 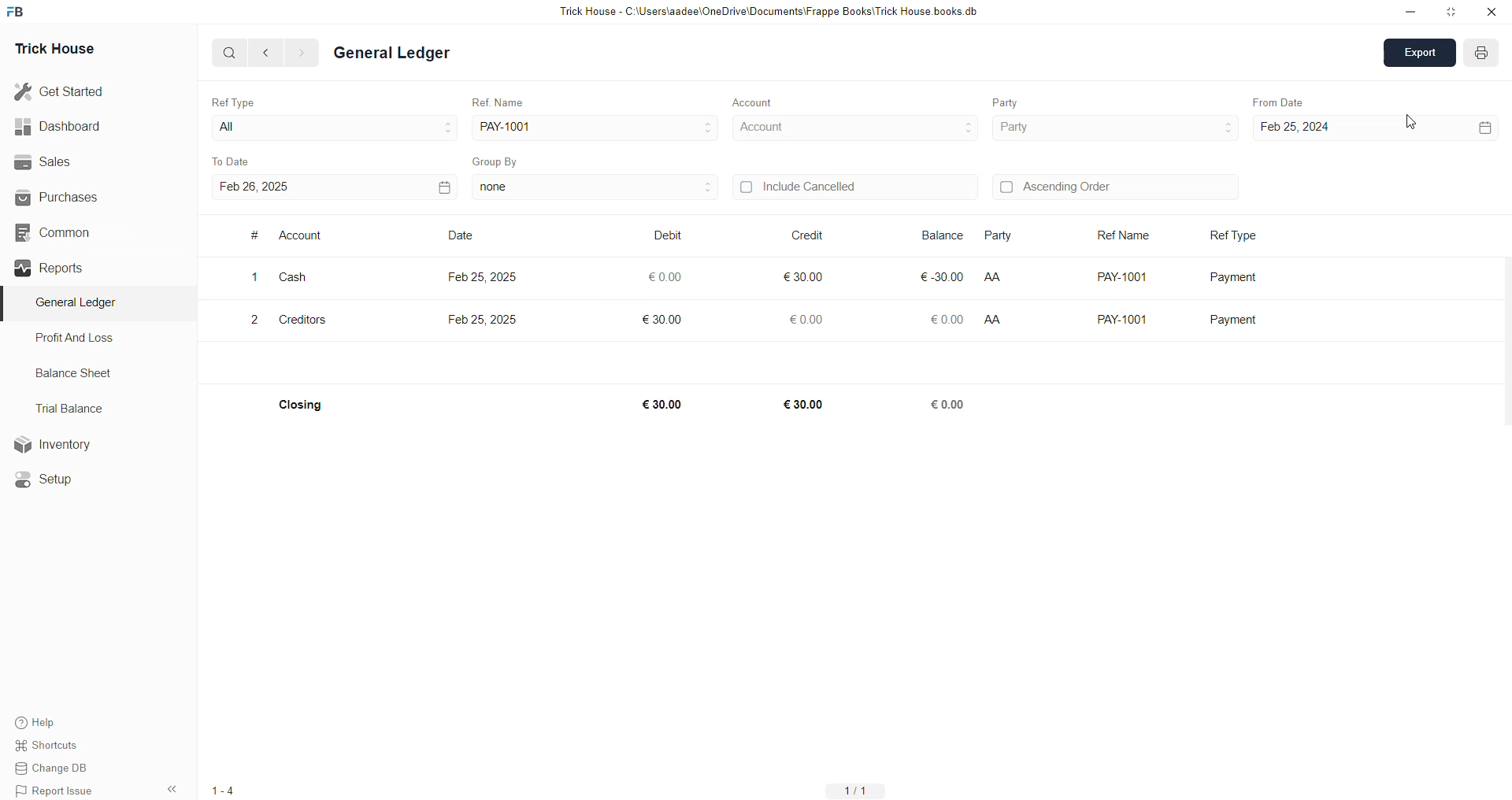 I want to click on Account, so click(x=746, y=102).